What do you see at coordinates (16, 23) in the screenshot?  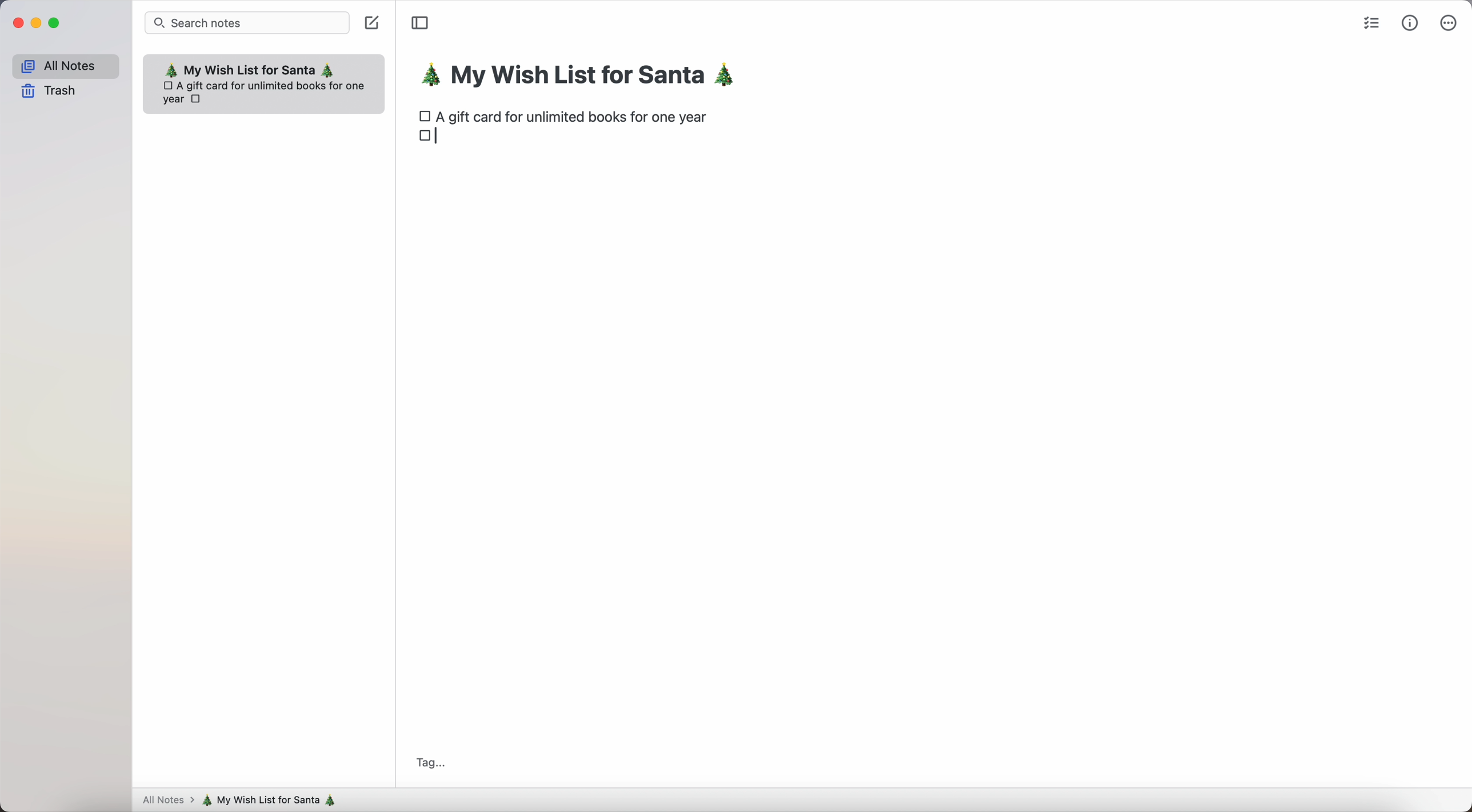 I see `close Simplenote` at bounding box center [16, 23].